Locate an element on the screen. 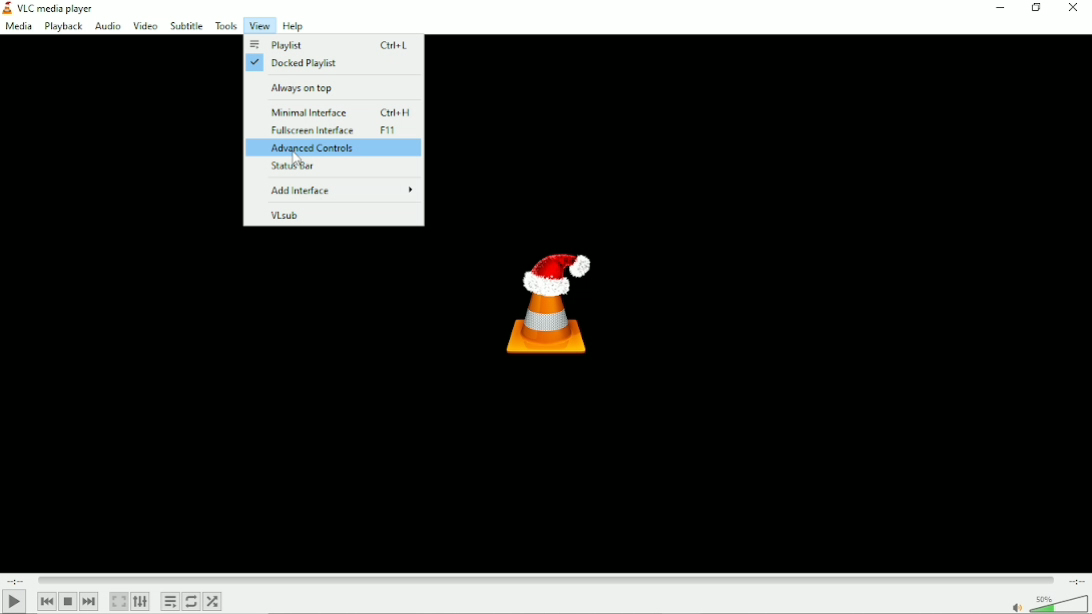 The height and width of the screenshot is (614, 1092). View is located at coordinates (257, 26).